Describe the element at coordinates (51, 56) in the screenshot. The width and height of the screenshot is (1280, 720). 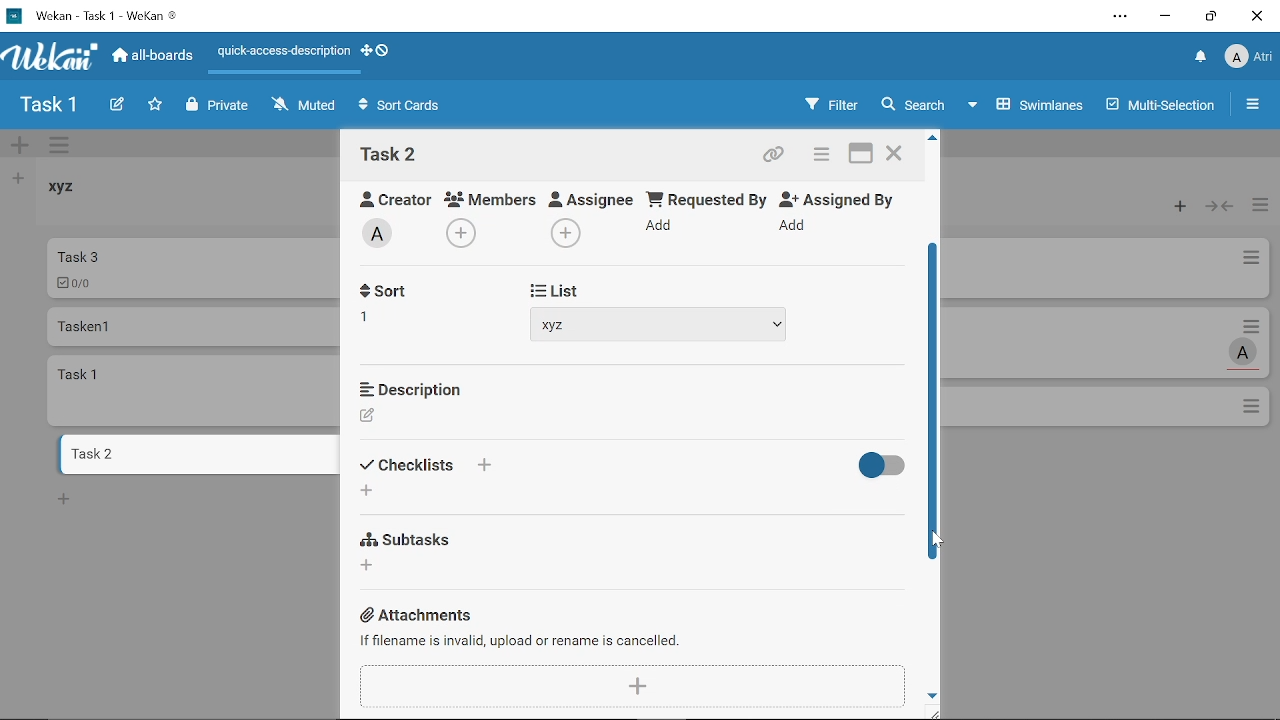
I see `App logo` at that location.